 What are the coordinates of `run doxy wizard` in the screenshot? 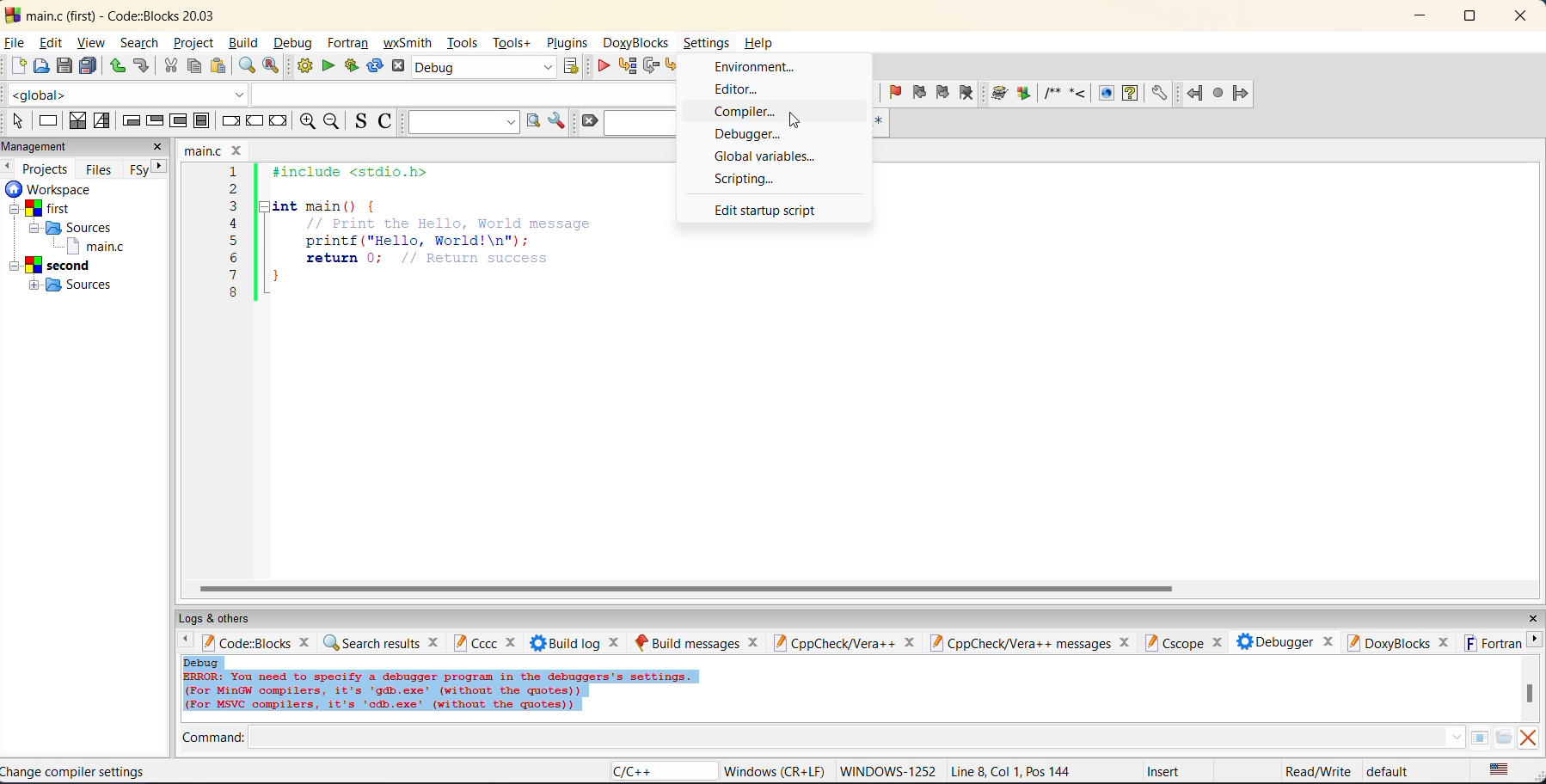 It's located at (1001, 95).